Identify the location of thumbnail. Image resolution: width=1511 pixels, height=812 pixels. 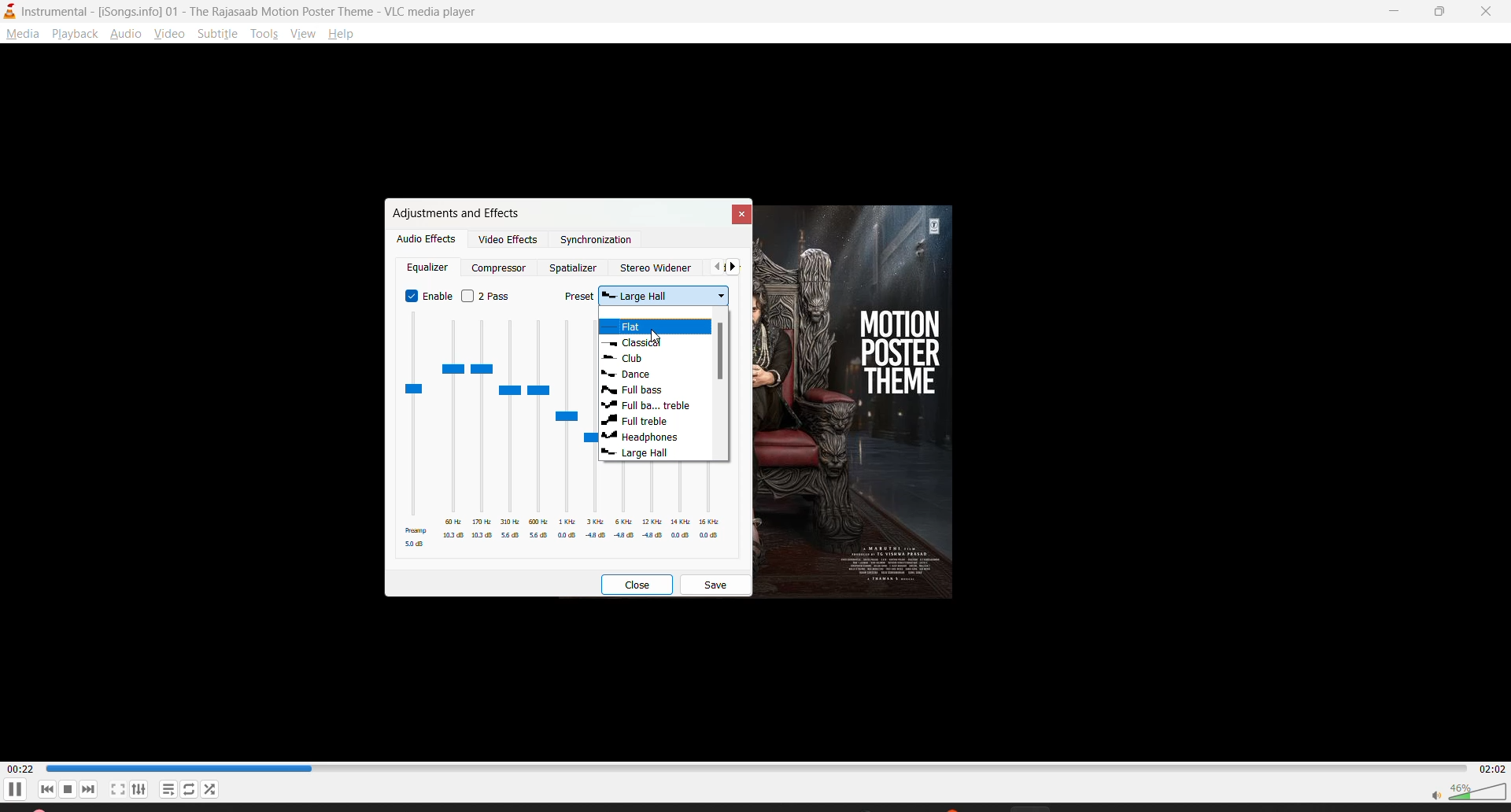
(878, 398).